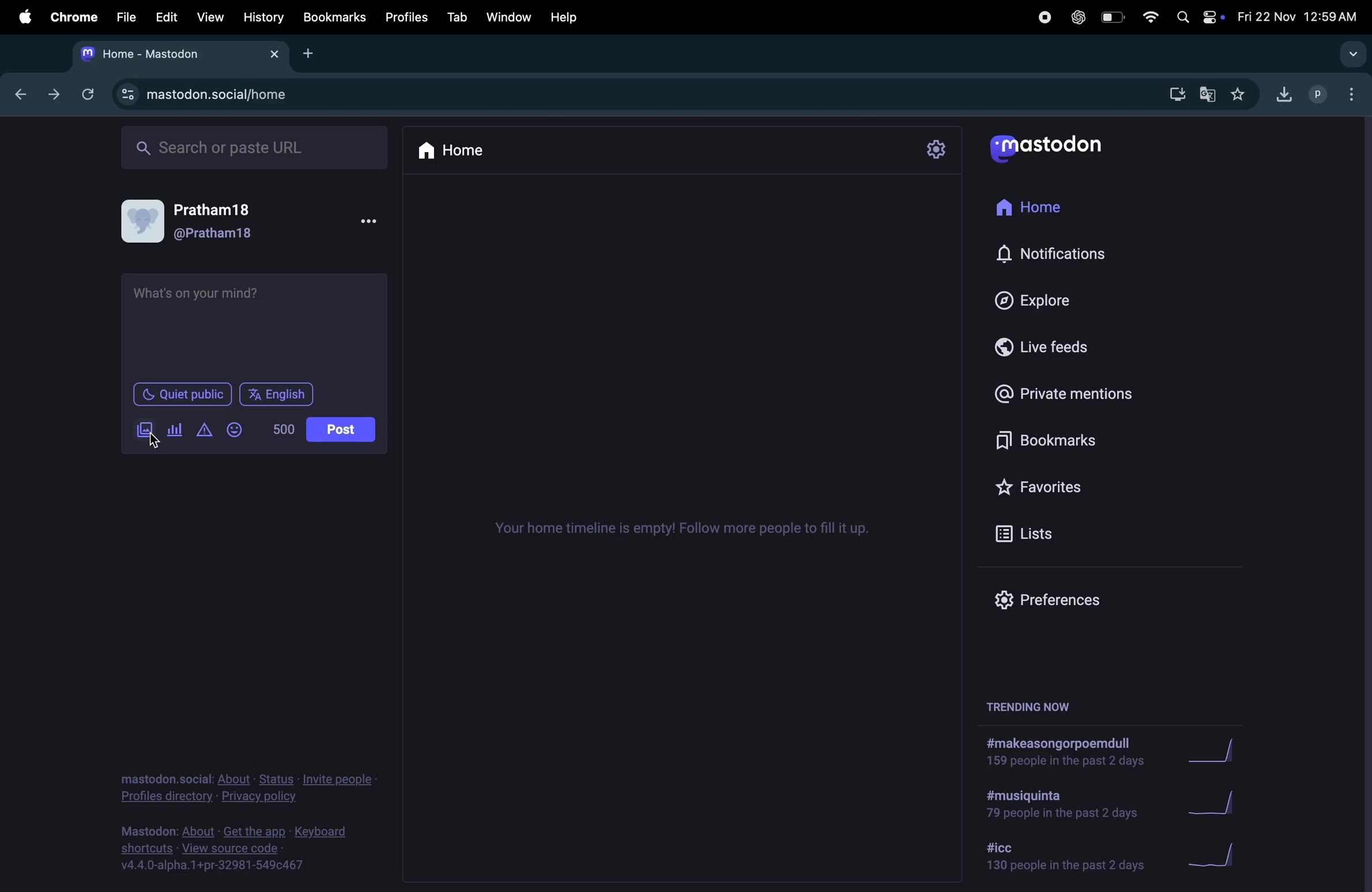 The width and height of the screenshot is (1372, 892). I want to click on apple menu, so click(24, 18).